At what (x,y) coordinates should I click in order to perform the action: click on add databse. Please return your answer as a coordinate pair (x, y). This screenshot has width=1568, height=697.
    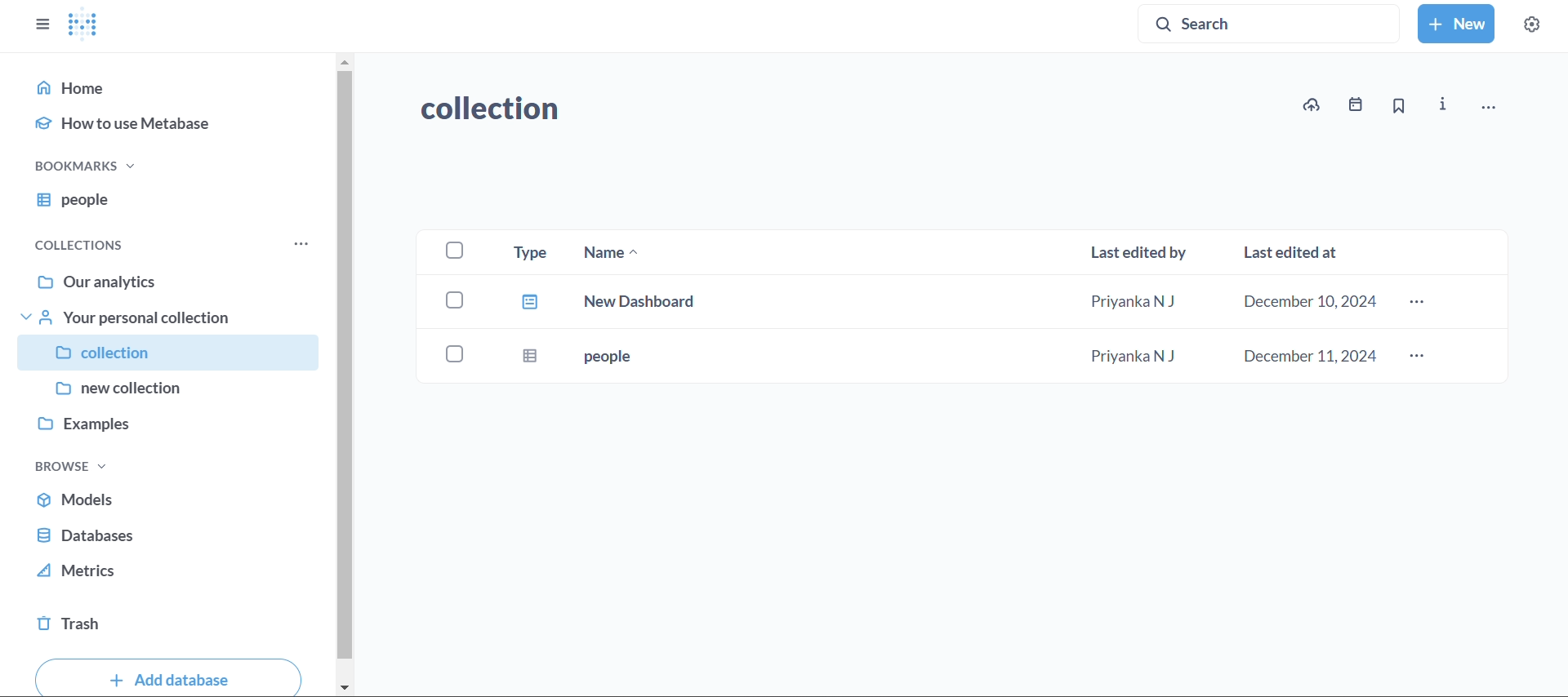
    Looking at the image, I should click on (175, 678).